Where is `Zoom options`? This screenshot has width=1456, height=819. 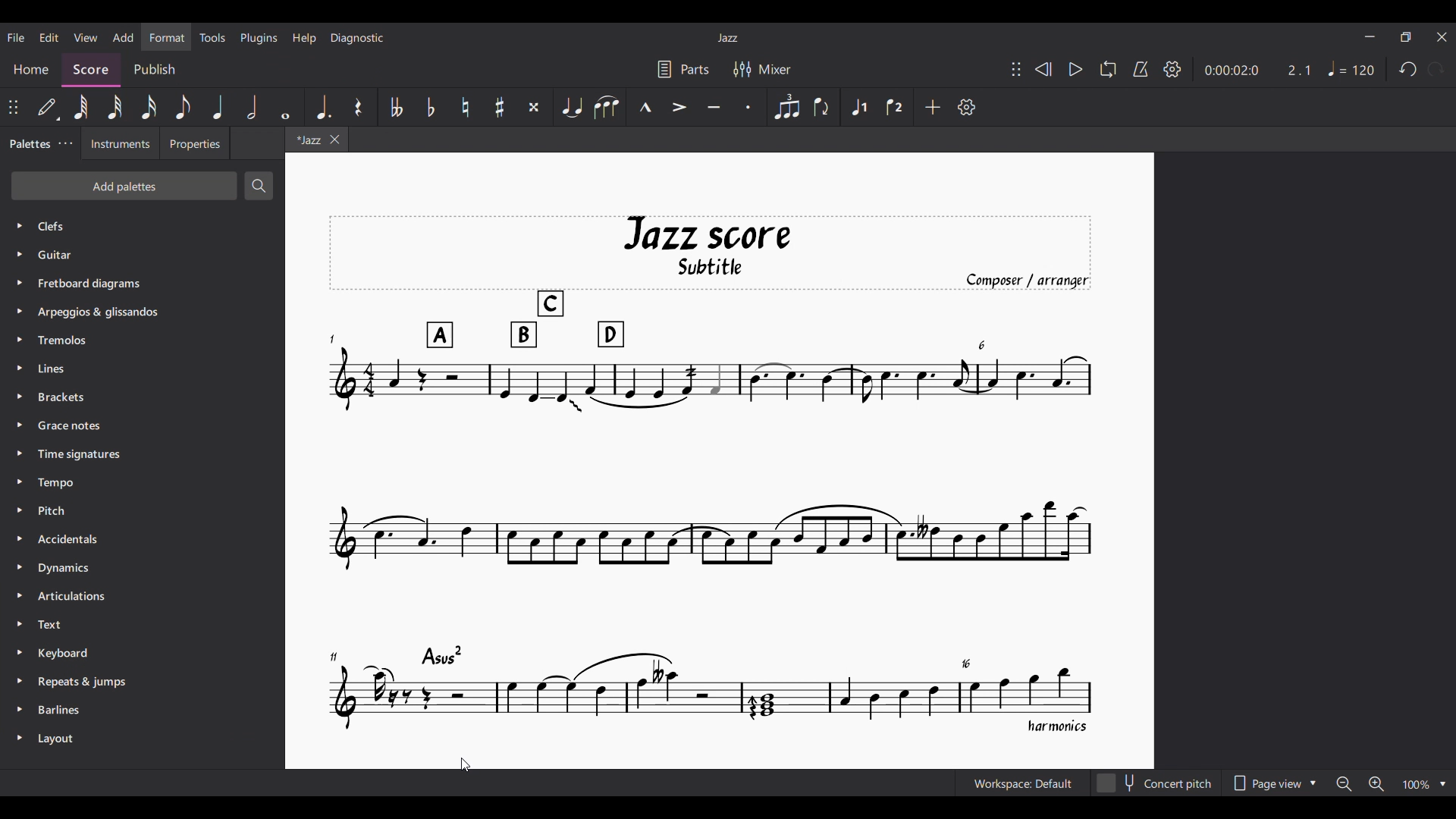
Zoom options is located at coordinates (1391, 783).